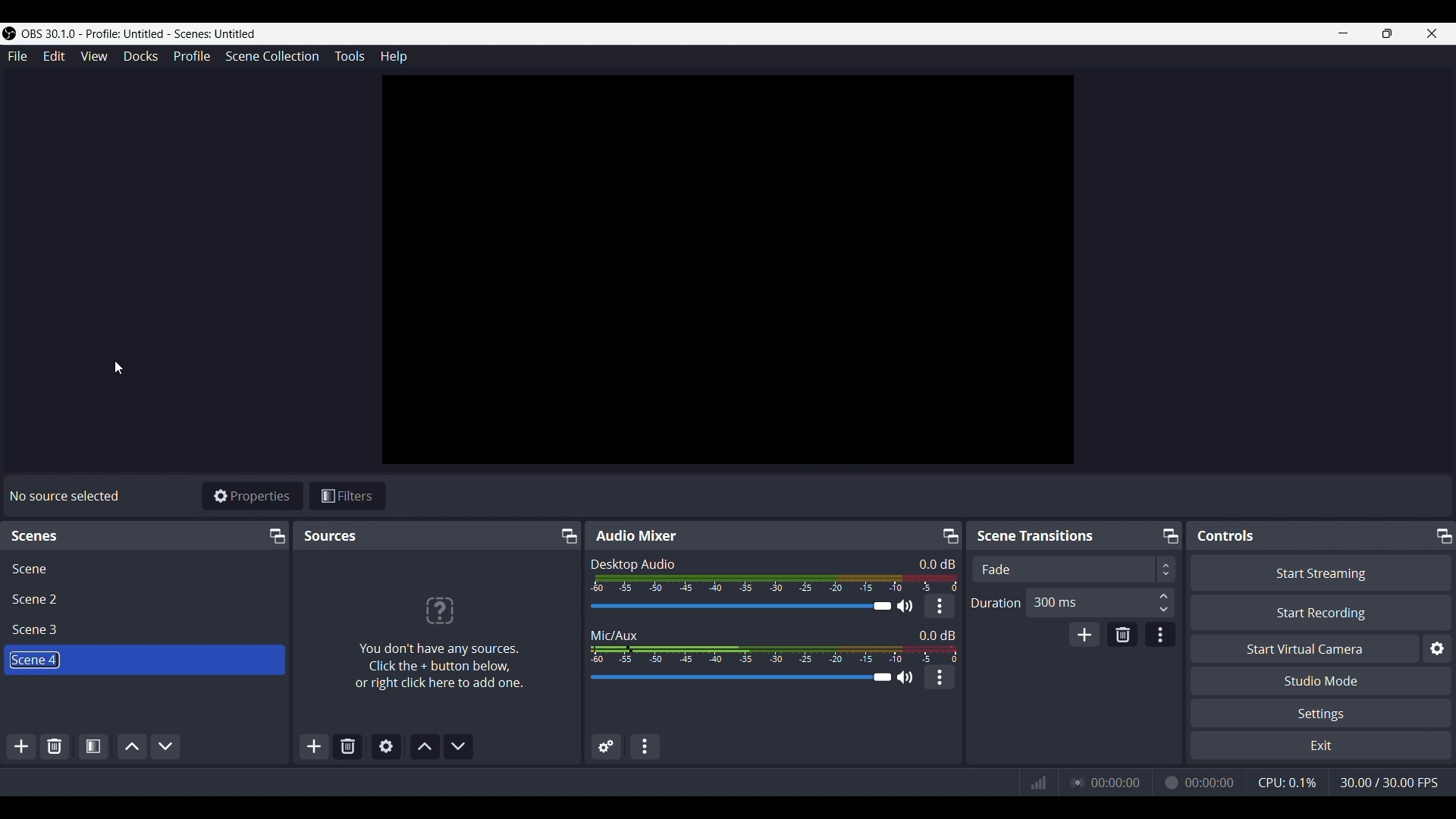 The image size is (1456, 819). I want to click on Remove transition, so click(1121, 635).